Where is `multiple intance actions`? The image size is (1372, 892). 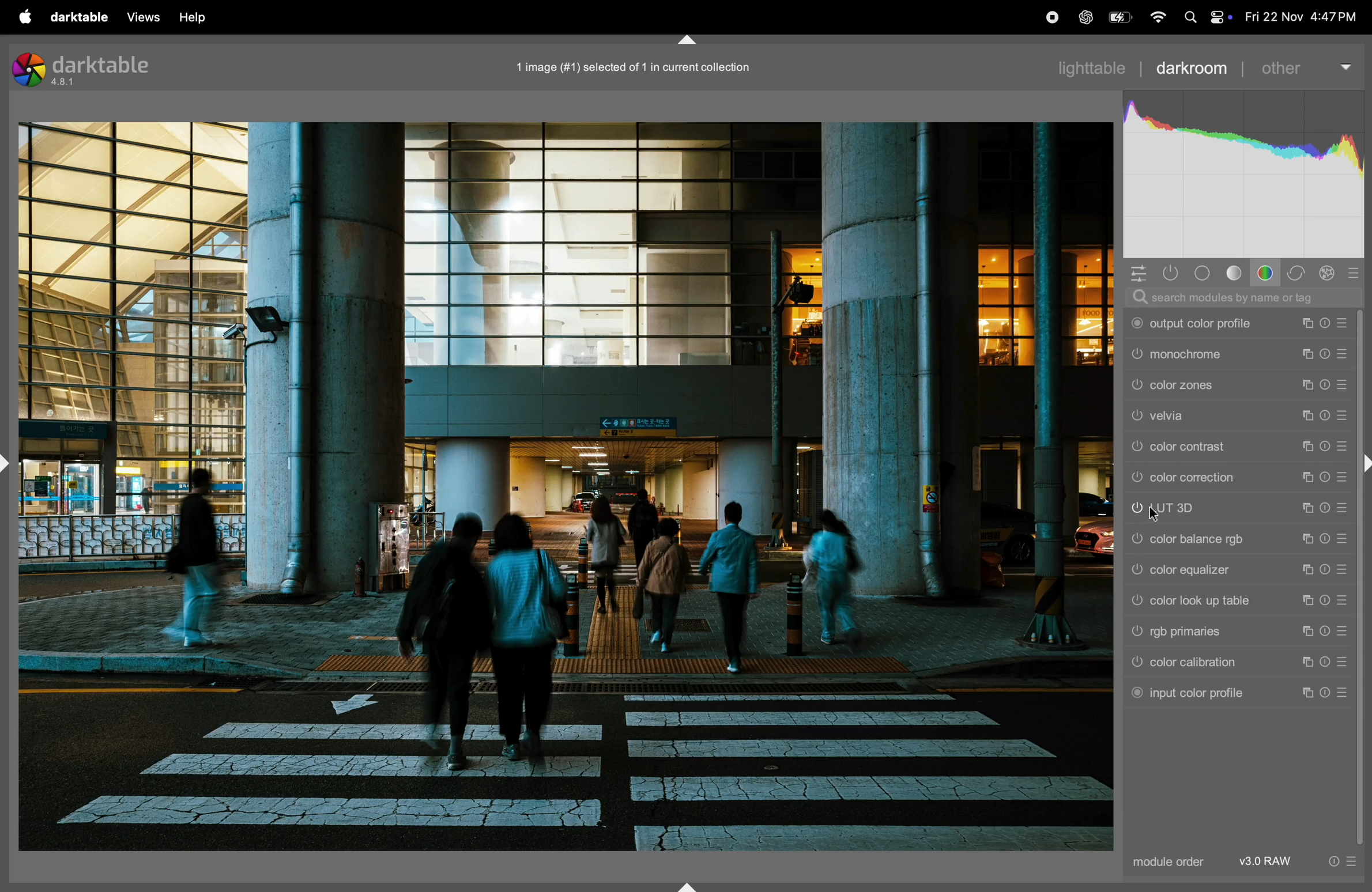 multiple intance actions is located at coordinates (1309, 659).